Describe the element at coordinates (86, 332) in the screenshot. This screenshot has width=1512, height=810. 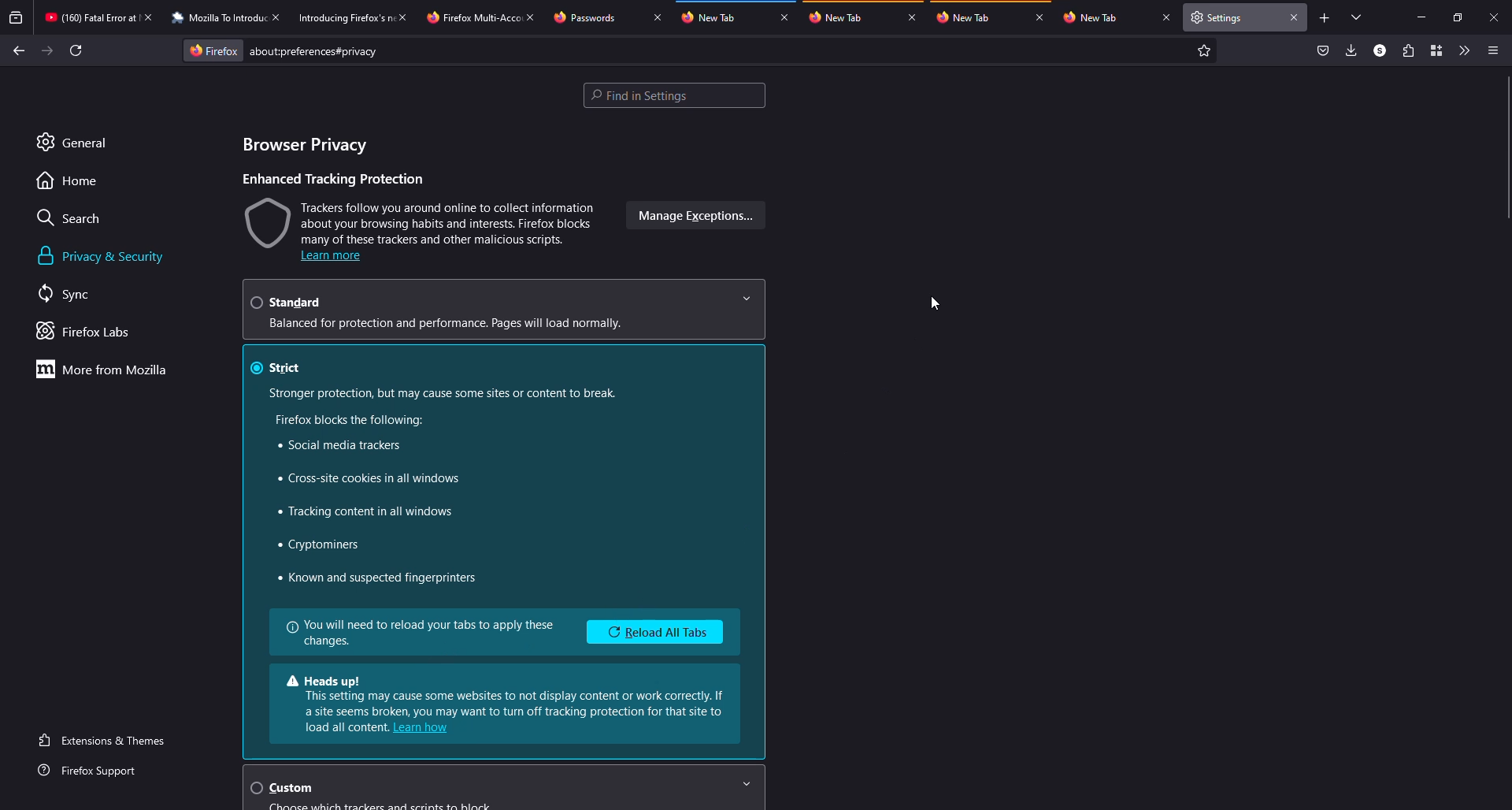
I see `firefox labs` at that location.